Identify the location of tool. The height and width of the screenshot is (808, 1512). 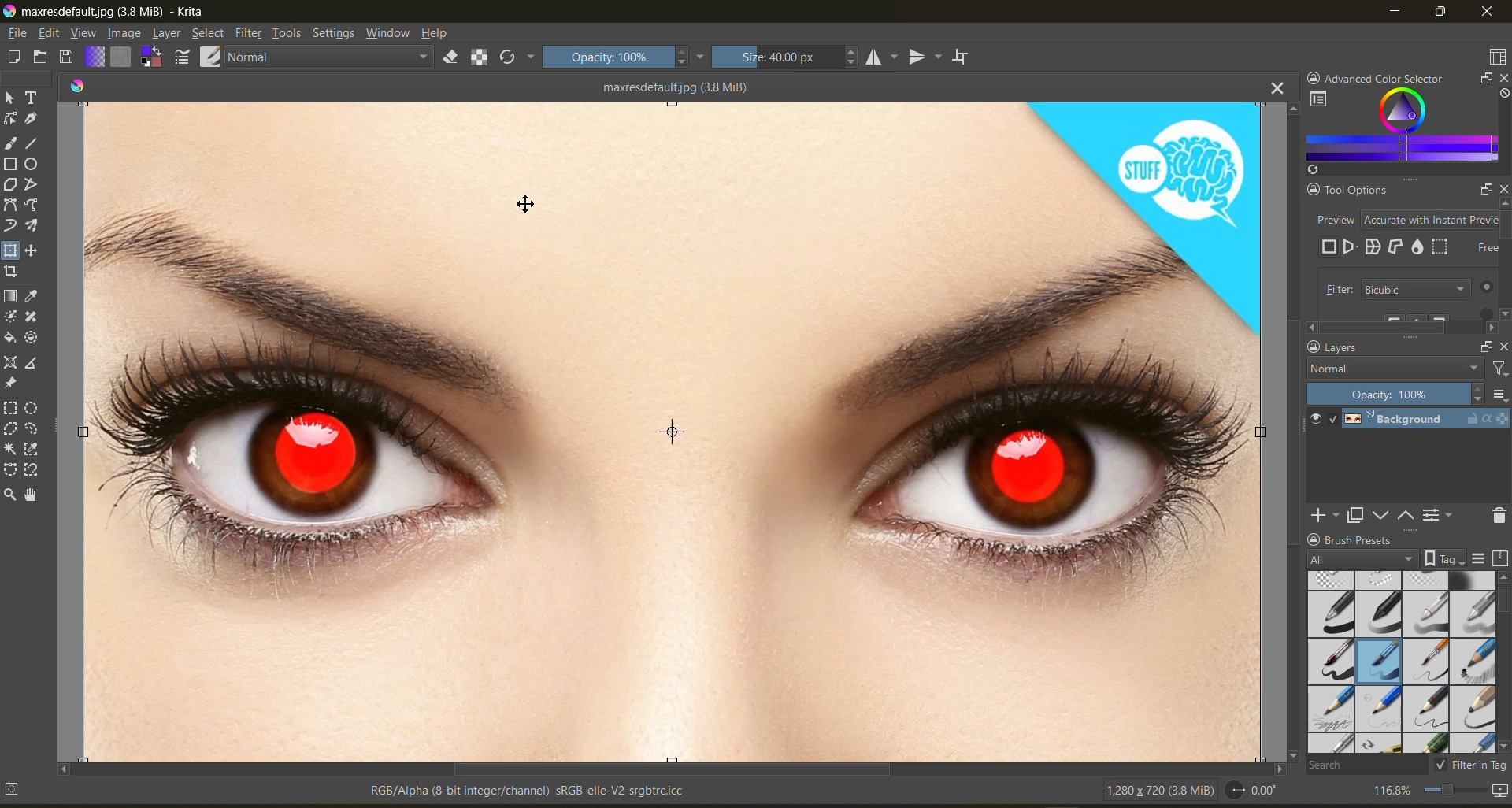
(12, 97).